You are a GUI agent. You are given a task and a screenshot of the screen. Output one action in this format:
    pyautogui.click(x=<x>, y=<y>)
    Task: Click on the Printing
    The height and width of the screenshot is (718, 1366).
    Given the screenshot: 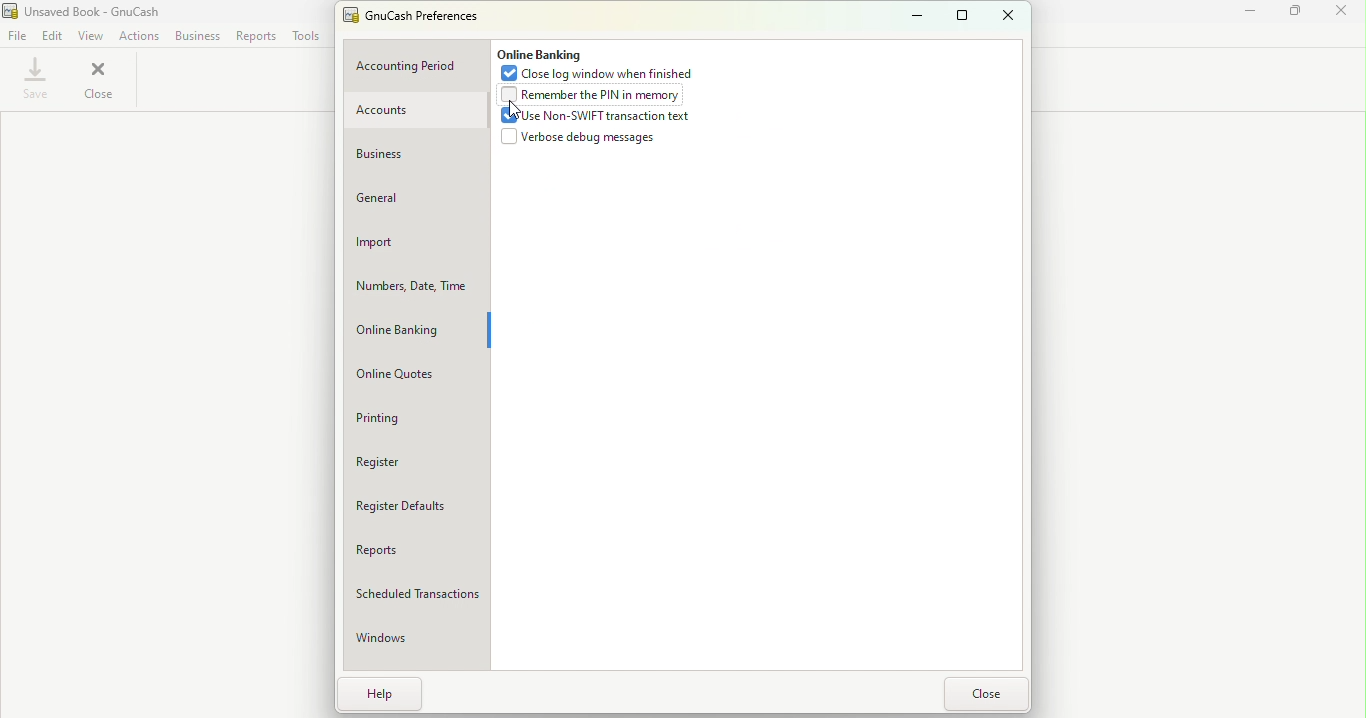 What is the action you would take?
    pyautogui.click(x=405, y=418)
    